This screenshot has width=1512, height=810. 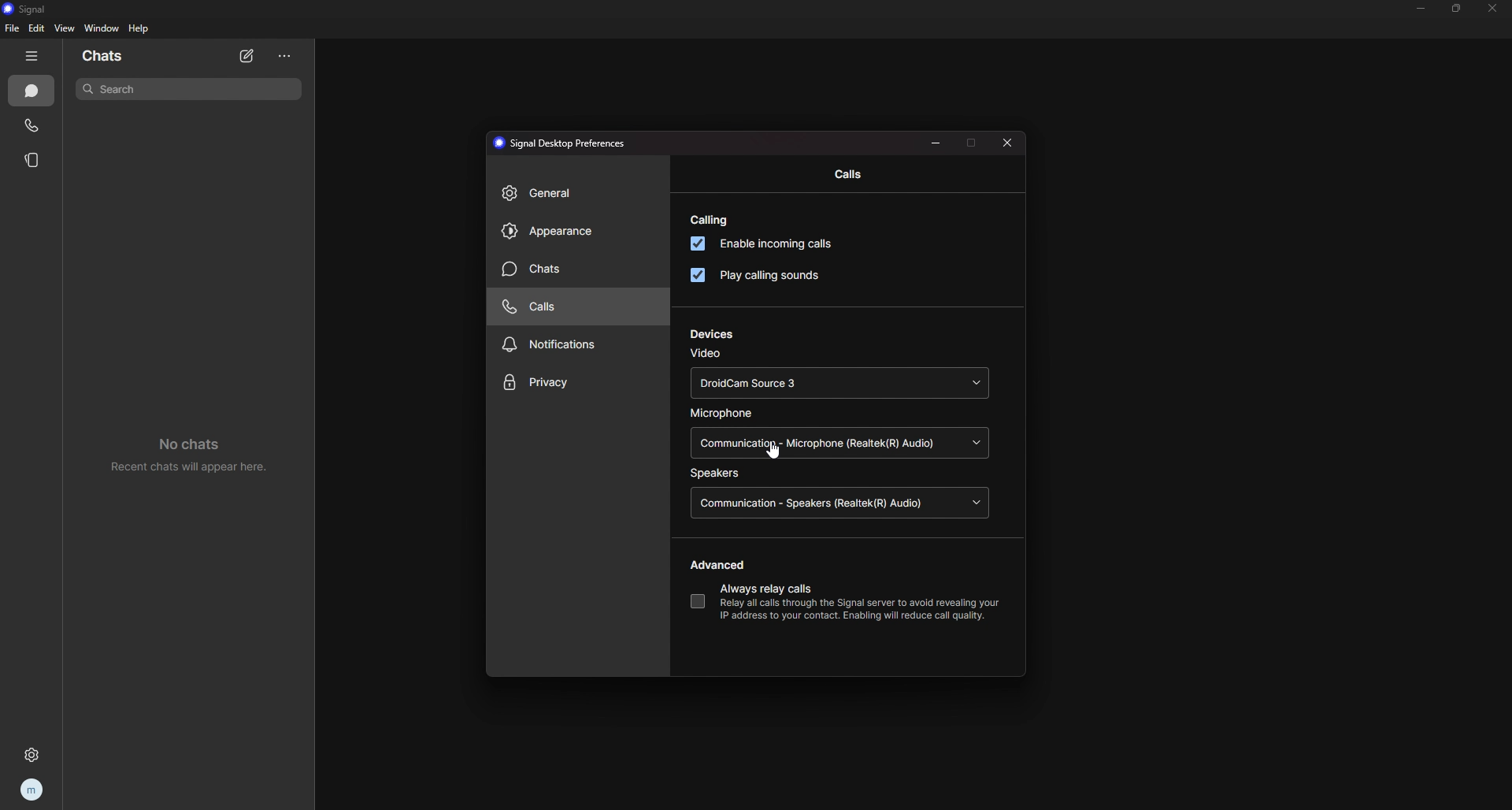 I want to click on microphone, so click(x=725, y=413).